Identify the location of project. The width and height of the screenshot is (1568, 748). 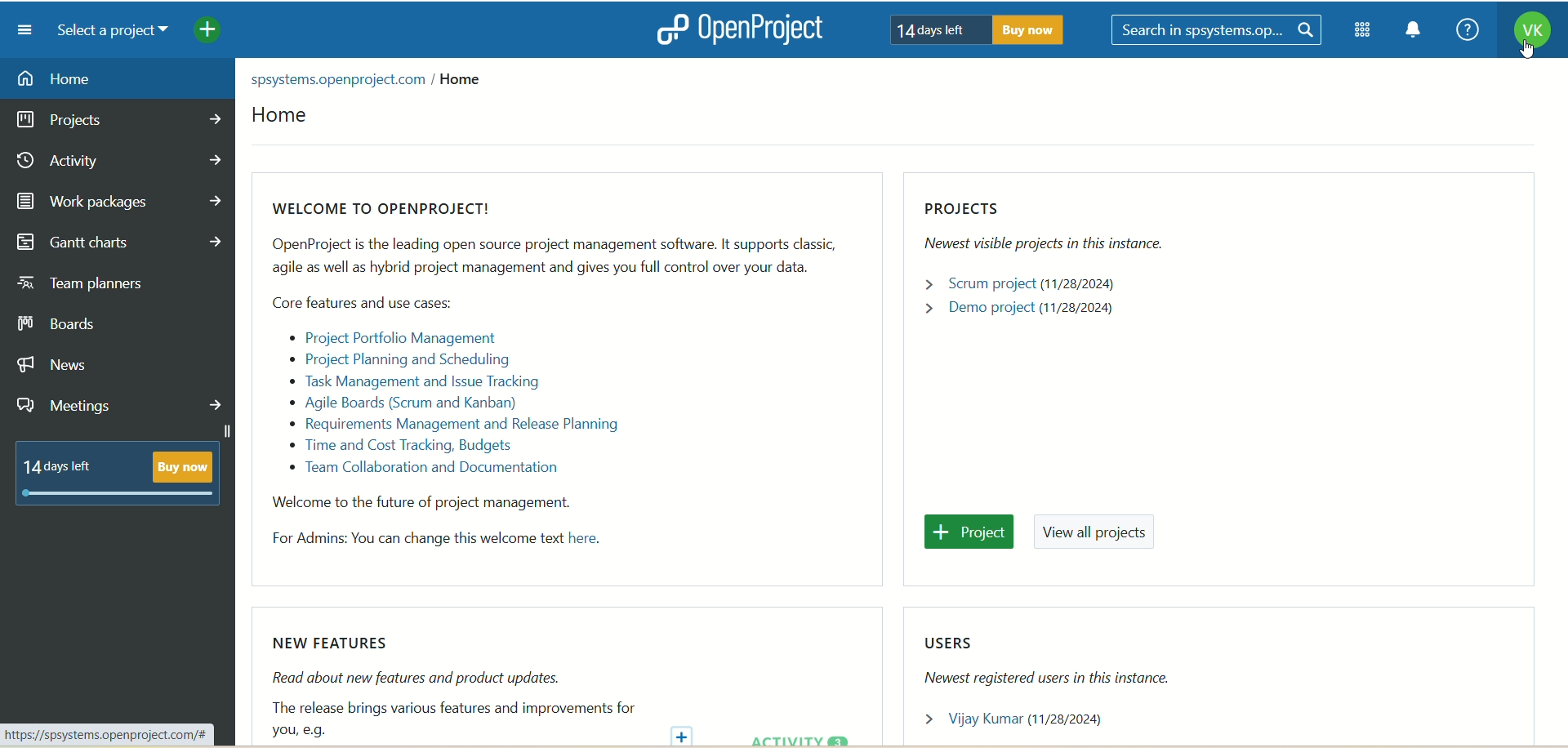
(973, 533).